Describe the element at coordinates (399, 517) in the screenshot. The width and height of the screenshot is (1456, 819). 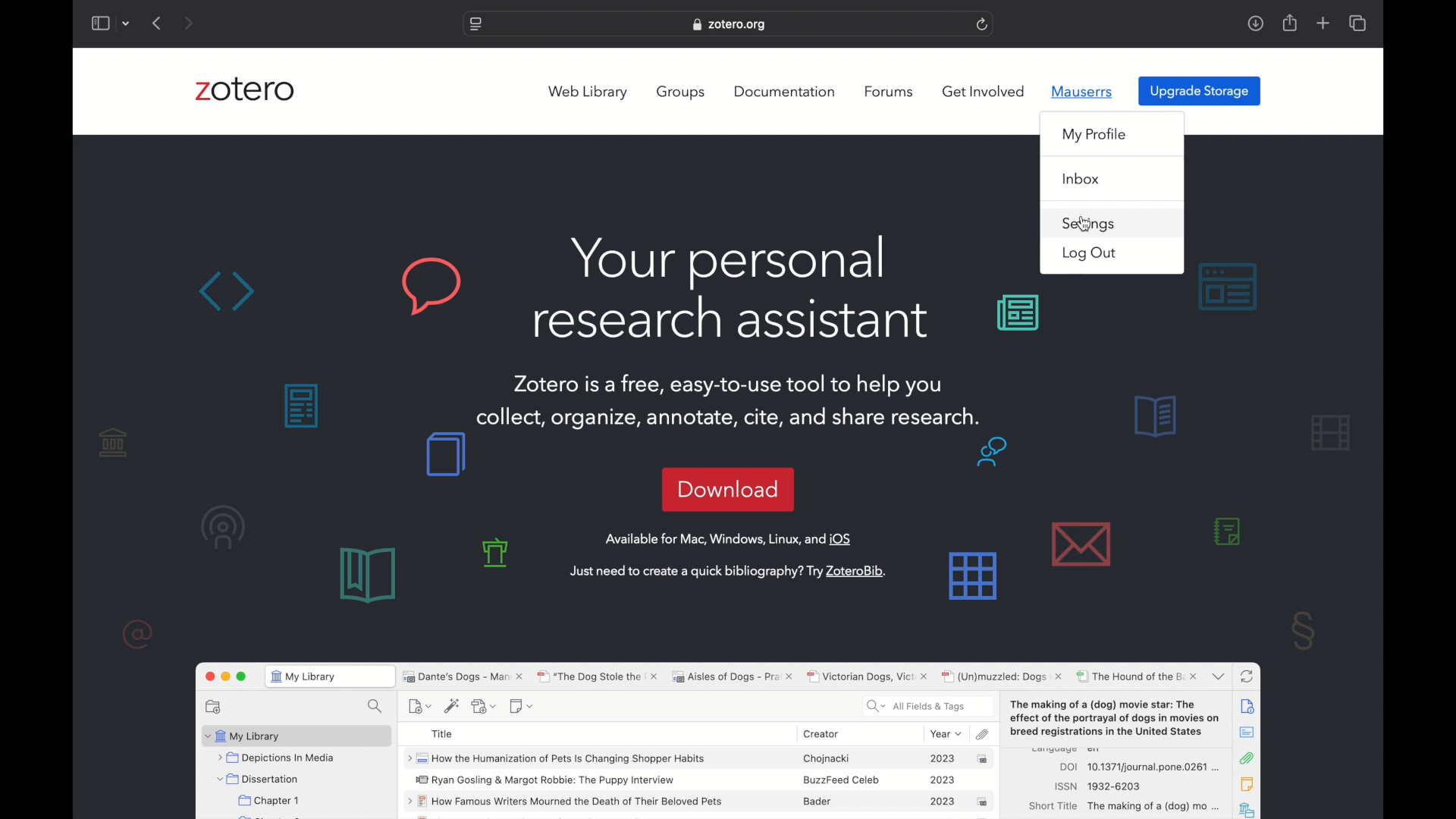
I see `background graphics` at that location.